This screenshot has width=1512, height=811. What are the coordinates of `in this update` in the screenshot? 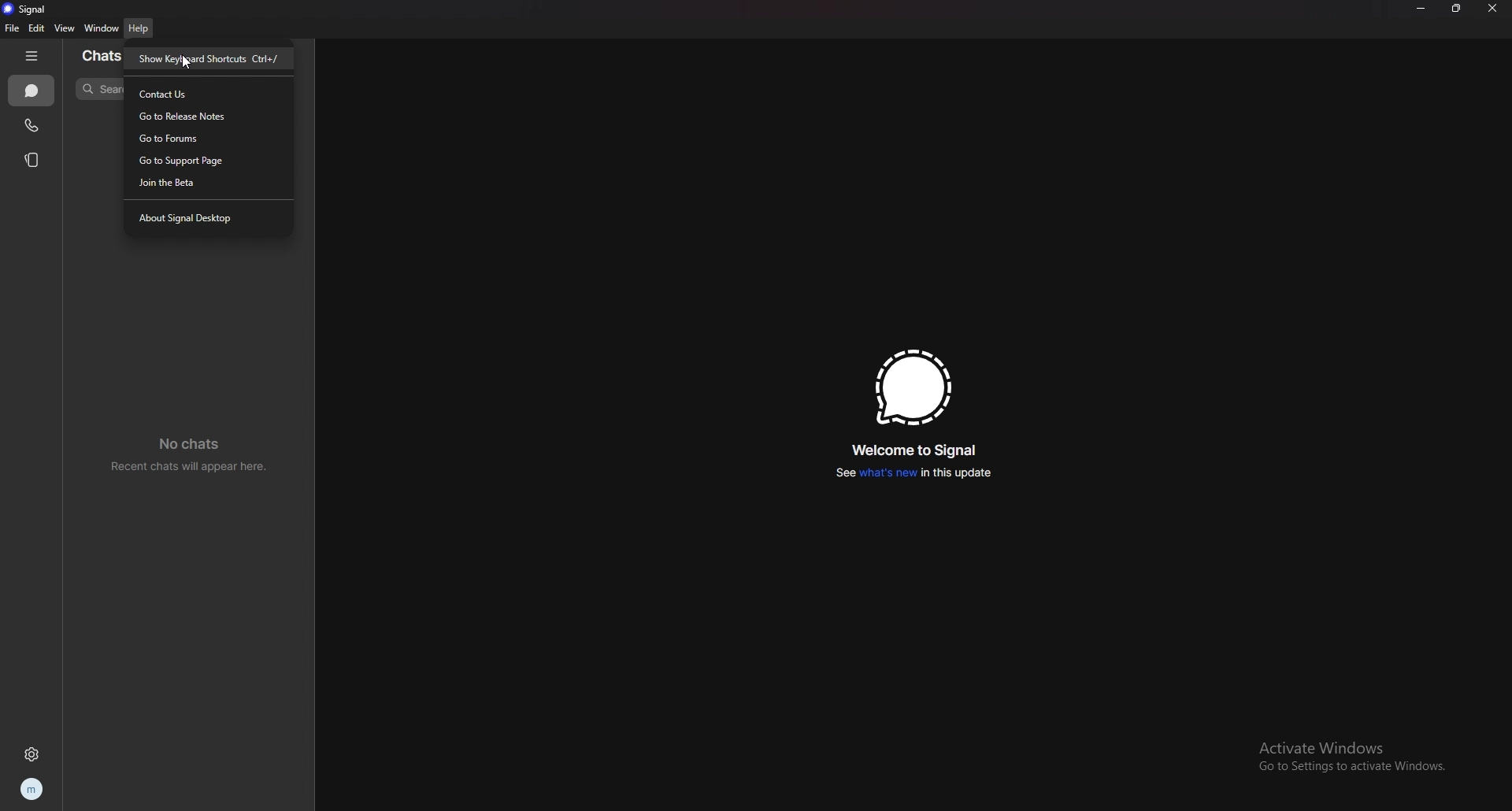 It's located at (960, 473).